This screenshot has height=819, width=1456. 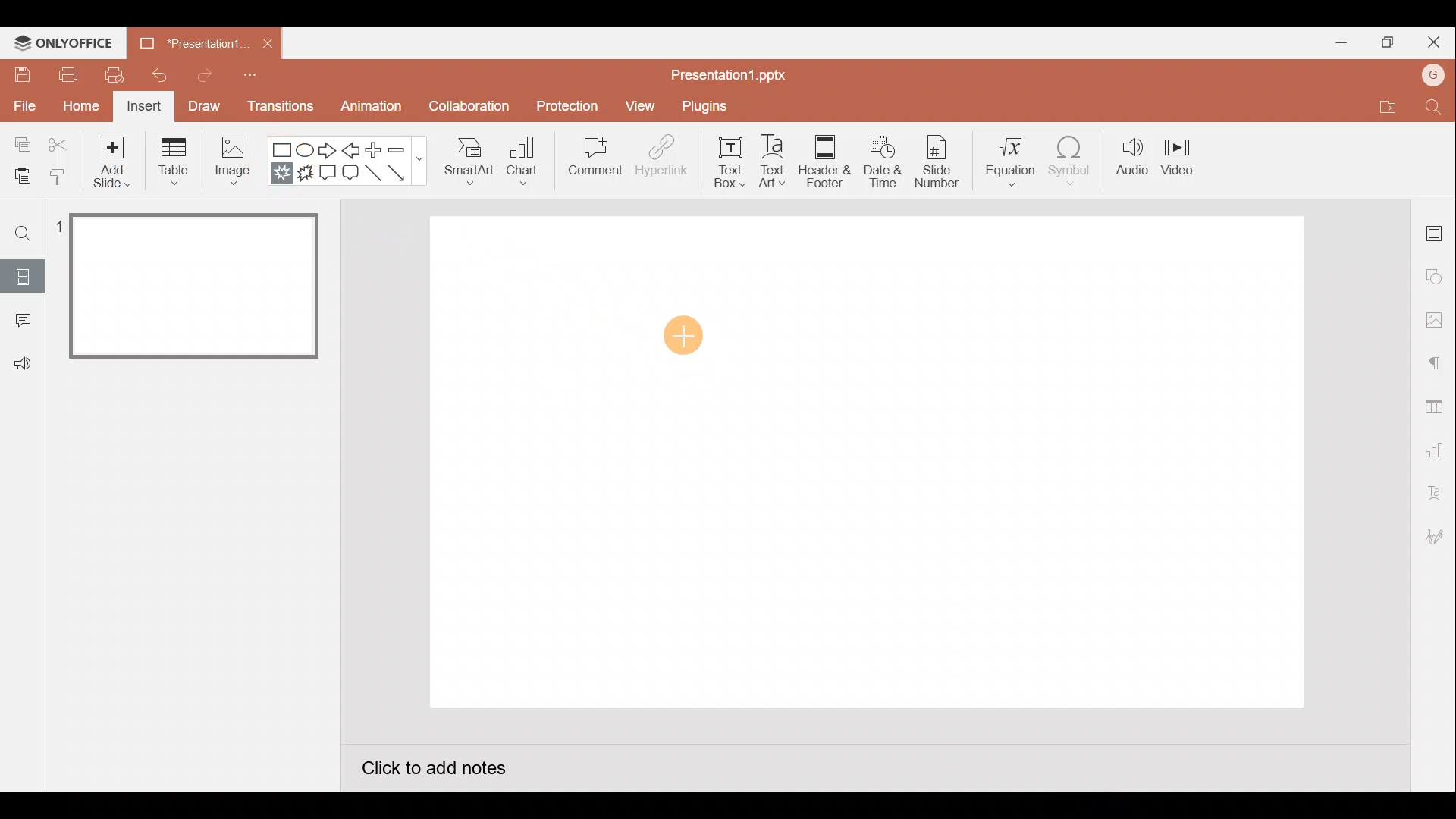 I want to click on Smart Art, so click(x=473, y=165).